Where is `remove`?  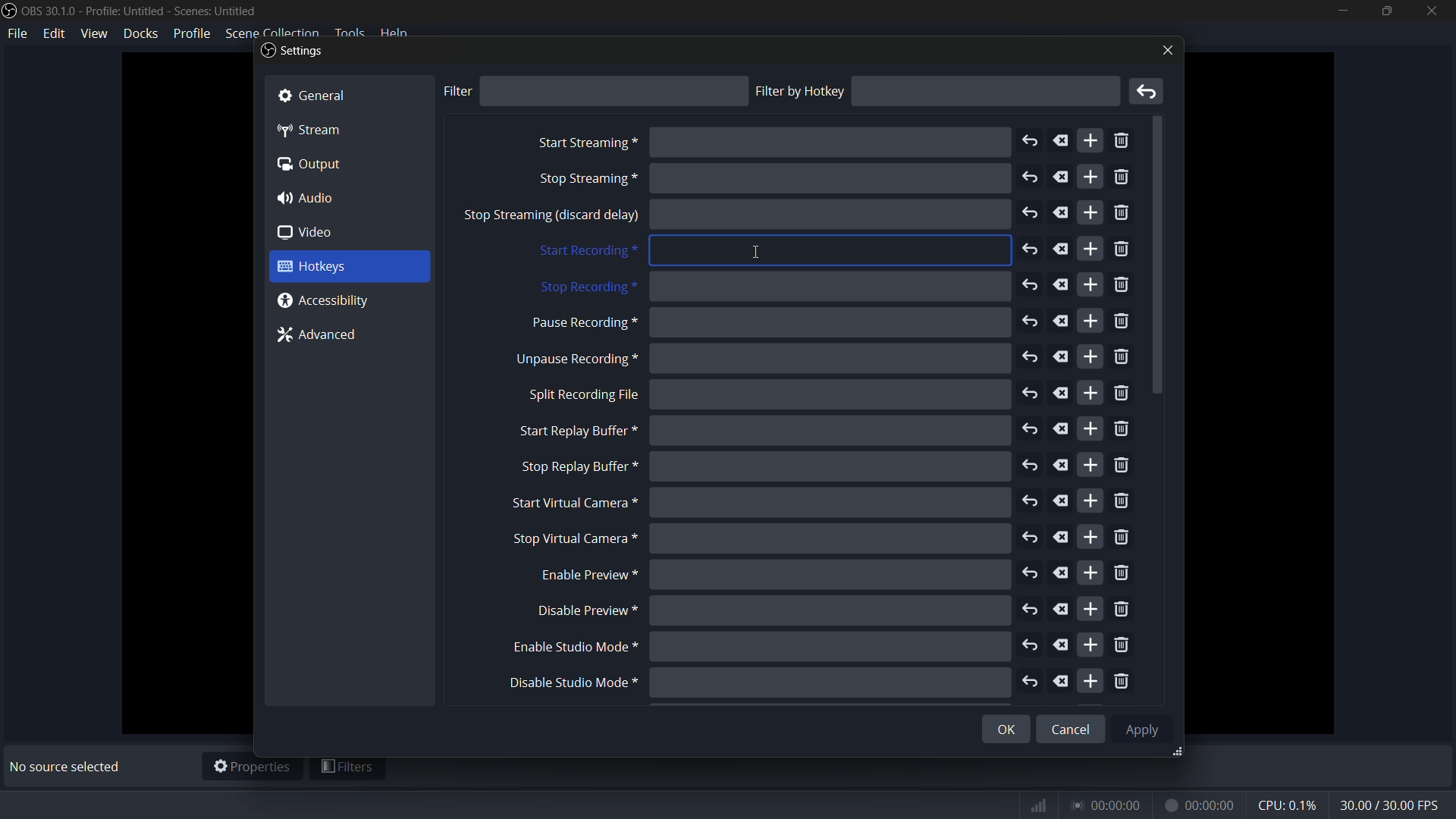 remove is located at coordinates (1123, 538).